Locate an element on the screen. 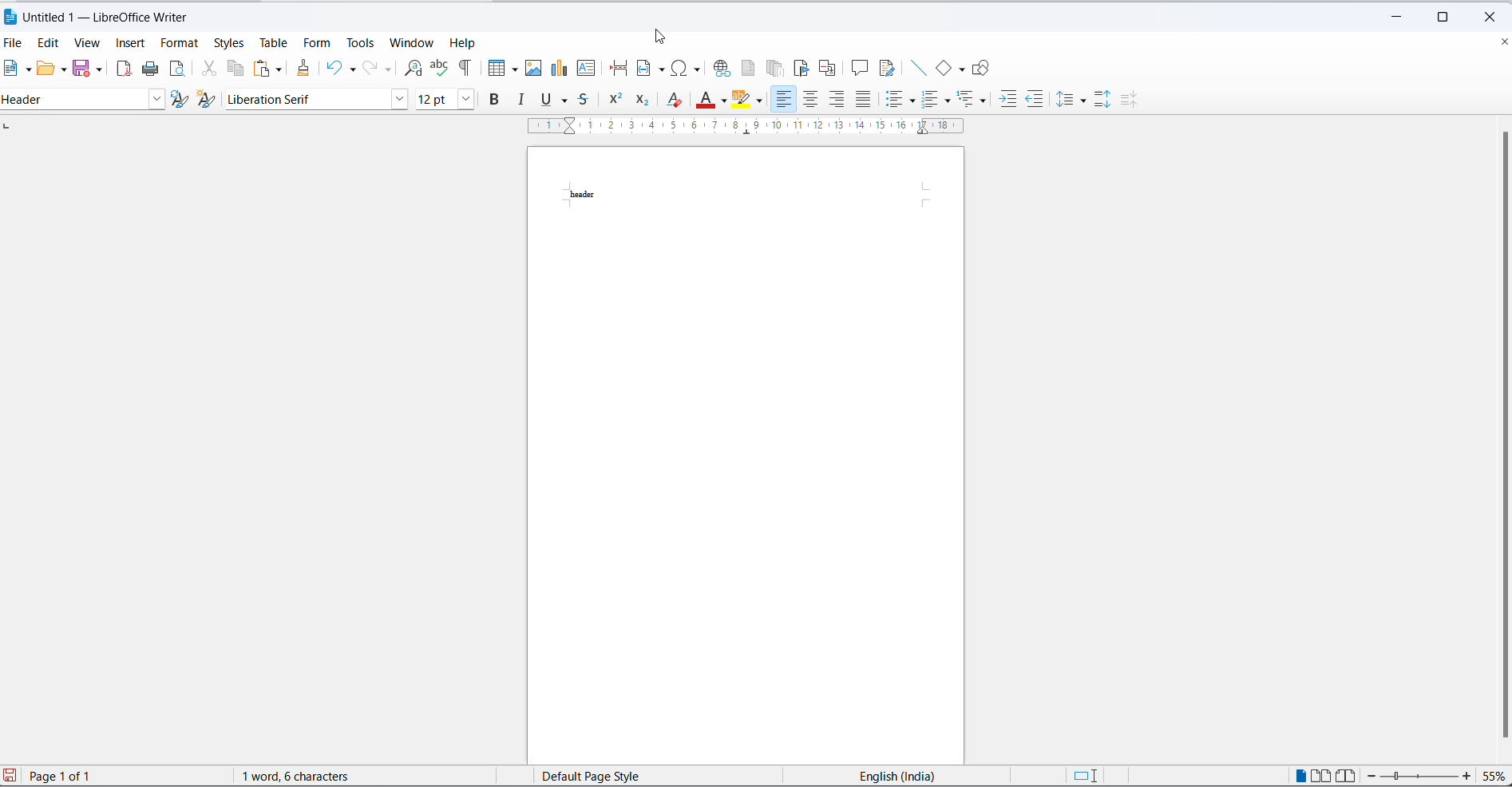  paste options is located at coordinates (277, 68).